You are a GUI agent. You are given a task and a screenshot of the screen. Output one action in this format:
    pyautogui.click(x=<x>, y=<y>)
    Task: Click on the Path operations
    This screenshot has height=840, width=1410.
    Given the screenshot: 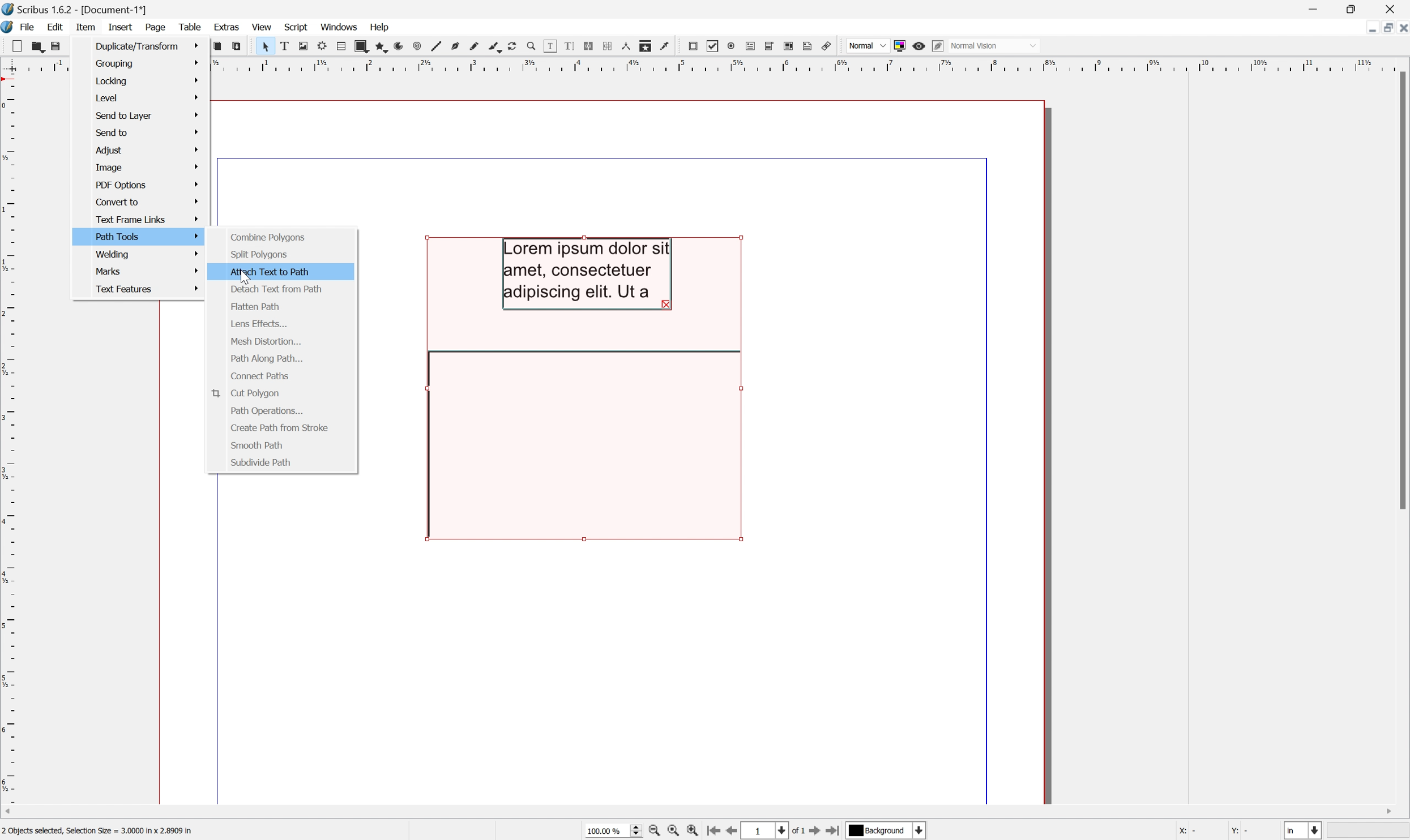 What is the action you would take?
    pyautogui.click(x=262, y=412)
    